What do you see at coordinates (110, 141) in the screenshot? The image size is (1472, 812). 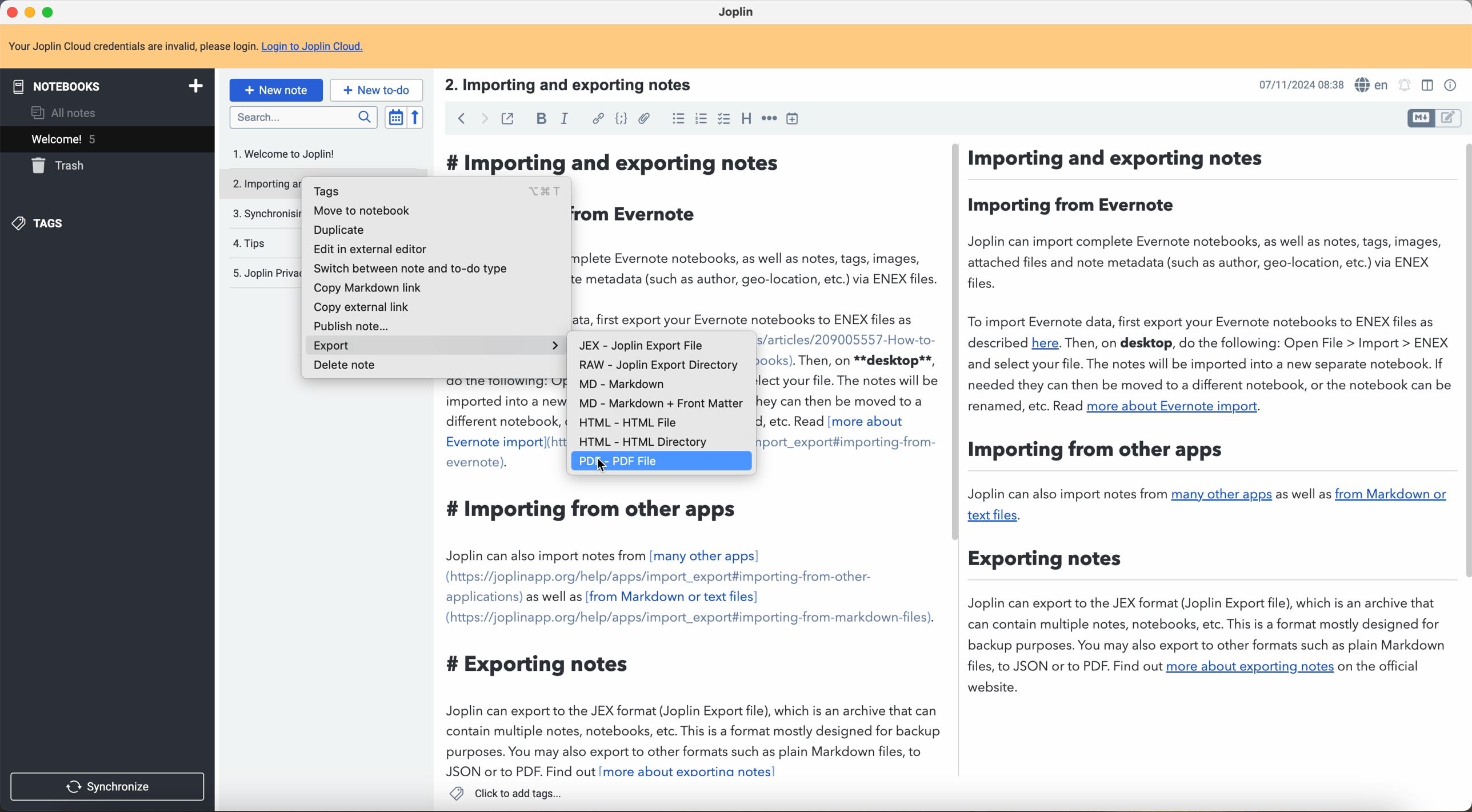 I see `welcome 5` at bounding box center [110, 141].